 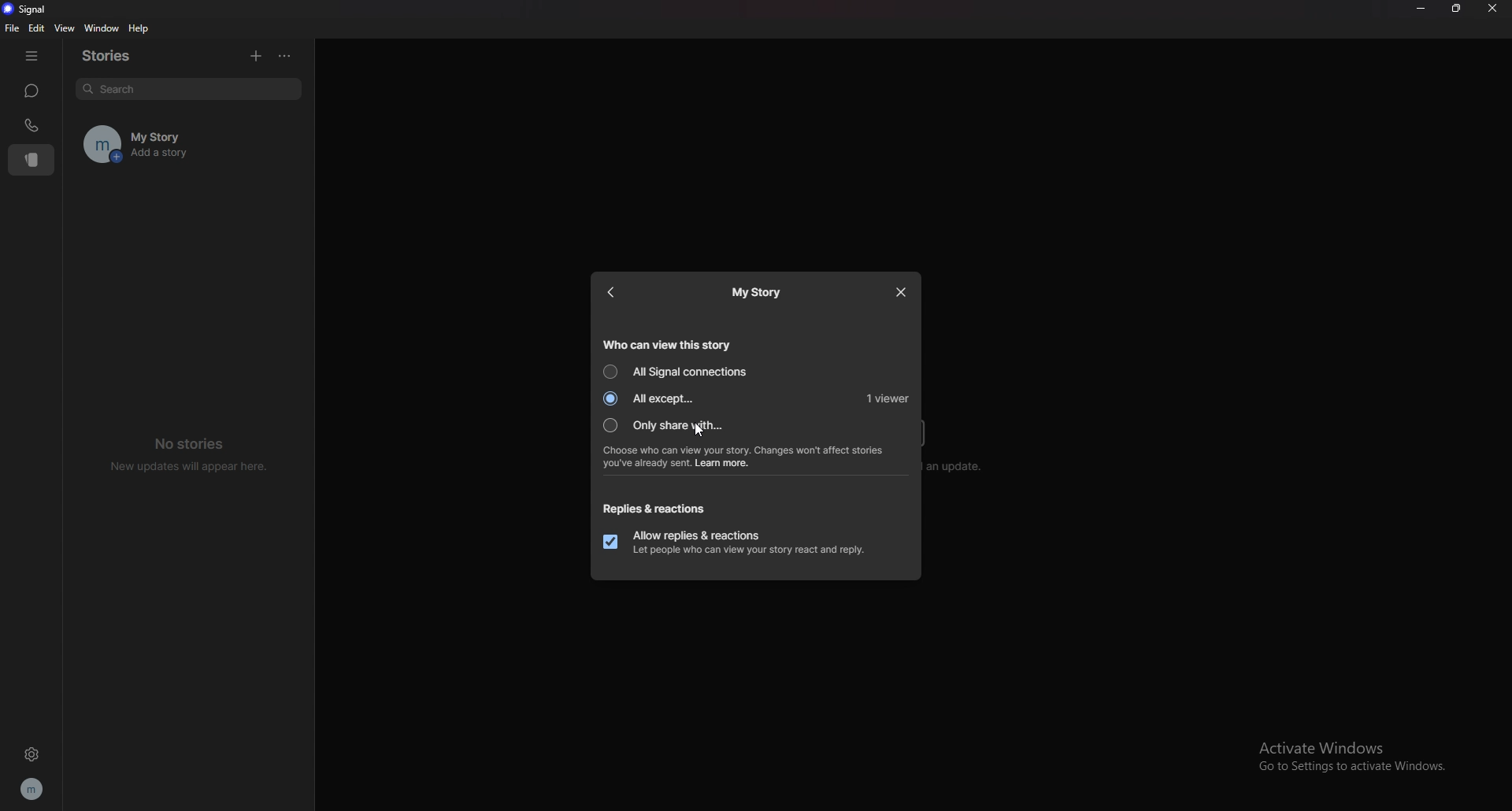 I want to click on view, so click(x=65, y=28).